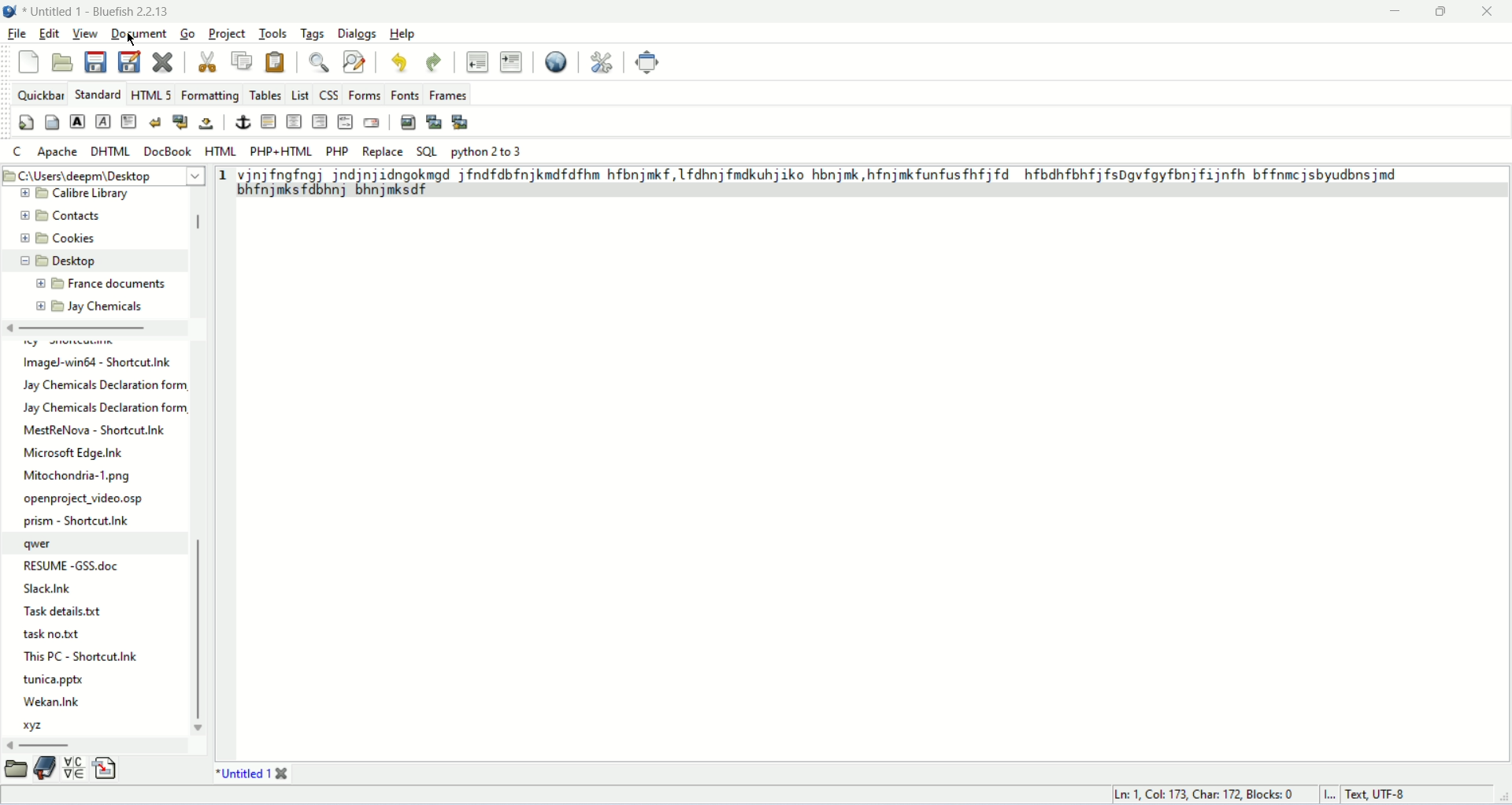 Image resolution: width=1512 pixels, height=805 pixels. I want to click on close, so click(1487, 11).